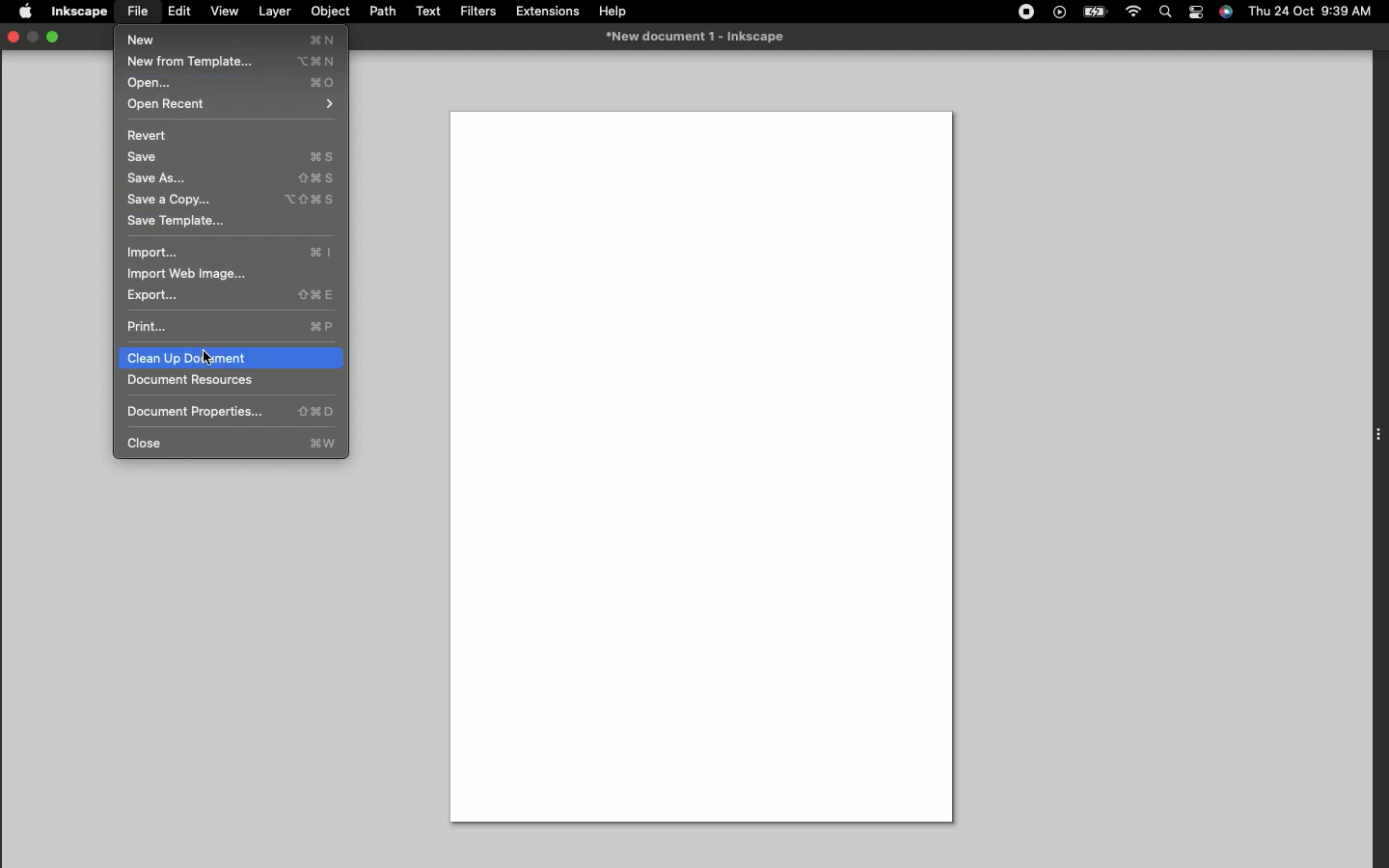 This screenshot has width=1389, height=868. What do you see at coordinates (383, 11) in the screenshot?
I see `Path` at bounding box center [383, 11].